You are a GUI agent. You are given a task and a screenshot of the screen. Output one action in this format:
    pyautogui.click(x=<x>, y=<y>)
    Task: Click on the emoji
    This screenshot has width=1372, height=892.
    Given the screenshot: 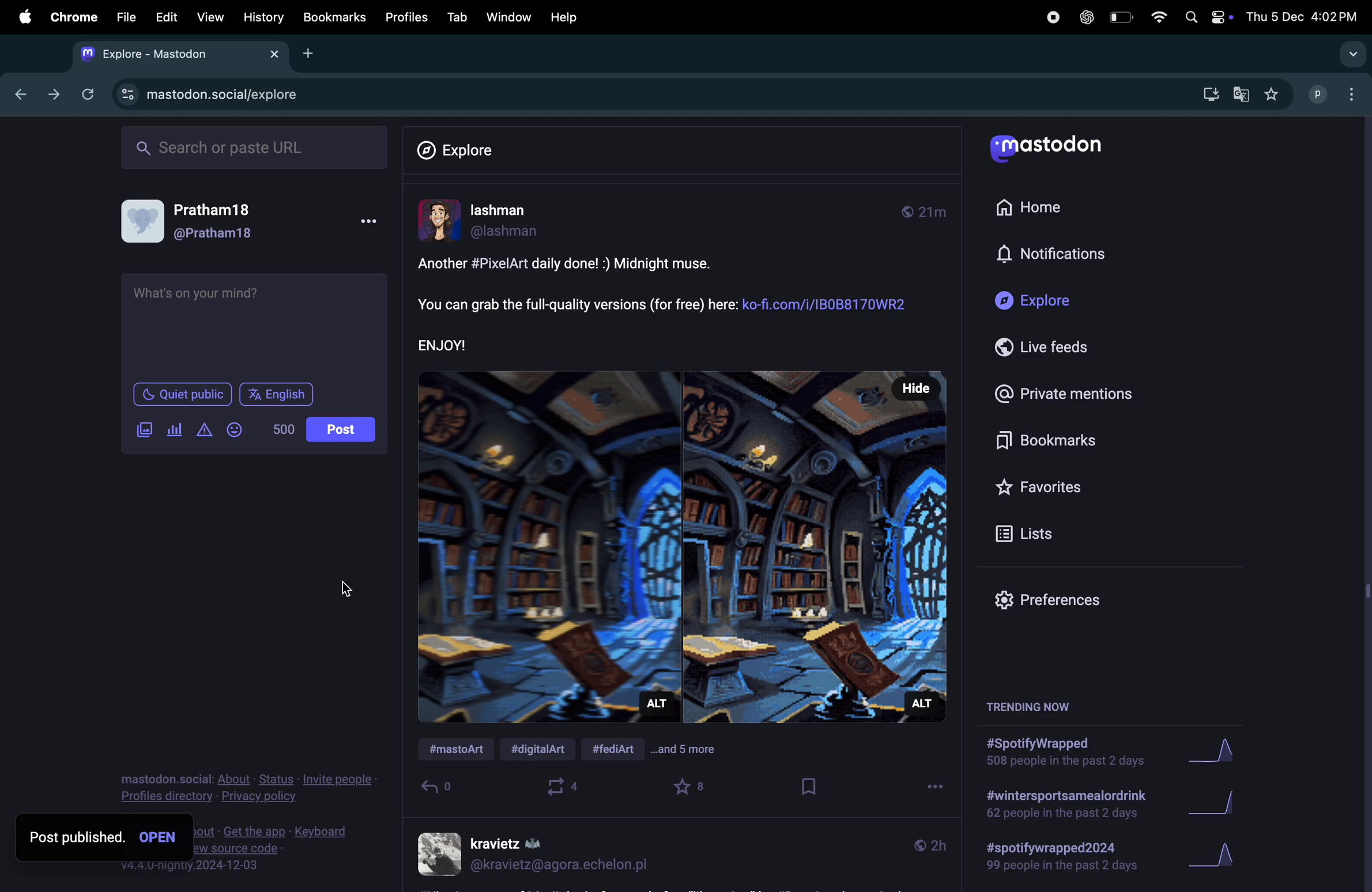 What is the action you would take?
    pyautogui.click(x=233, y=429)
    